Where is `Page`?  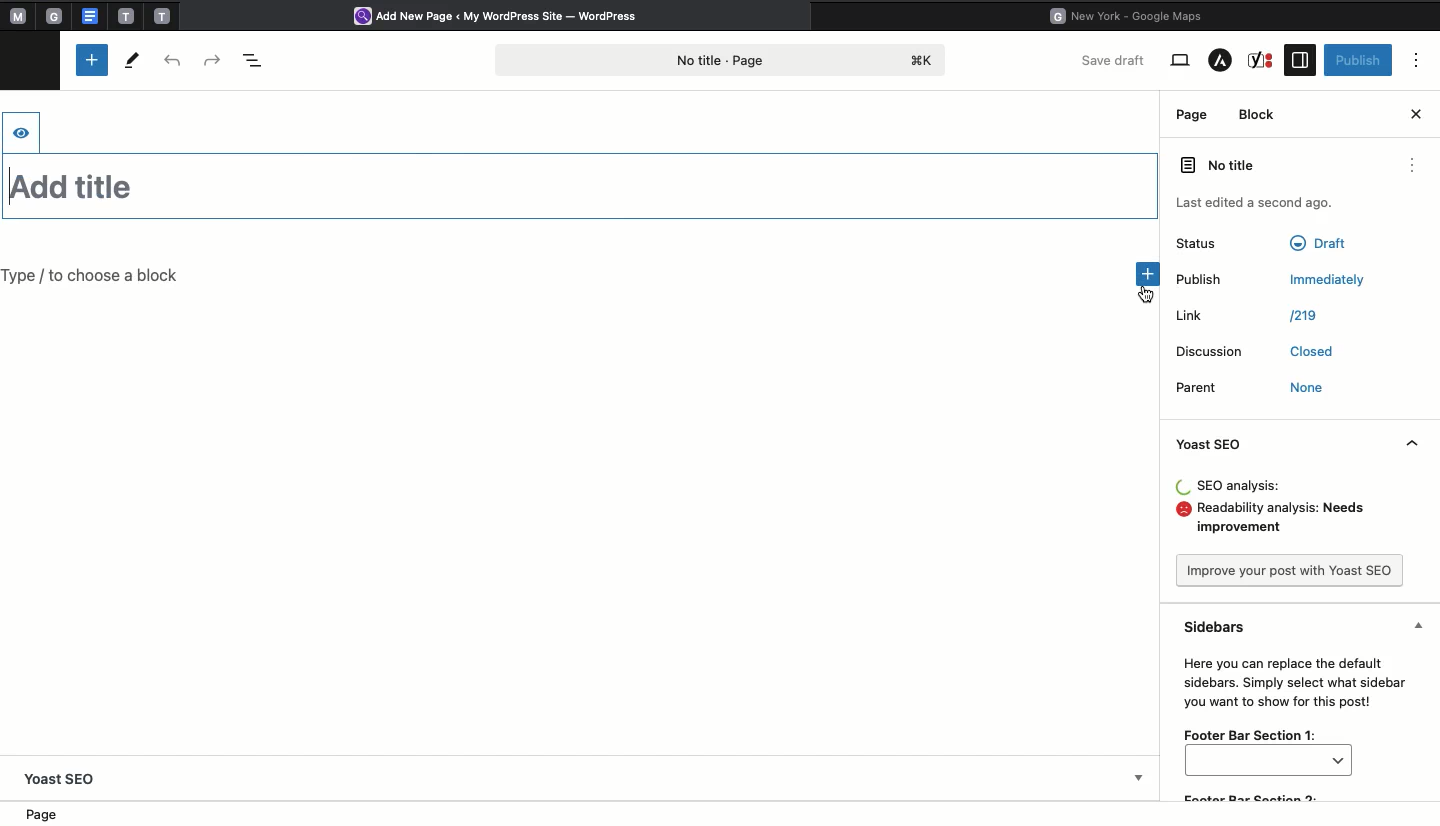 Page is located at coordinates (1192, 114).